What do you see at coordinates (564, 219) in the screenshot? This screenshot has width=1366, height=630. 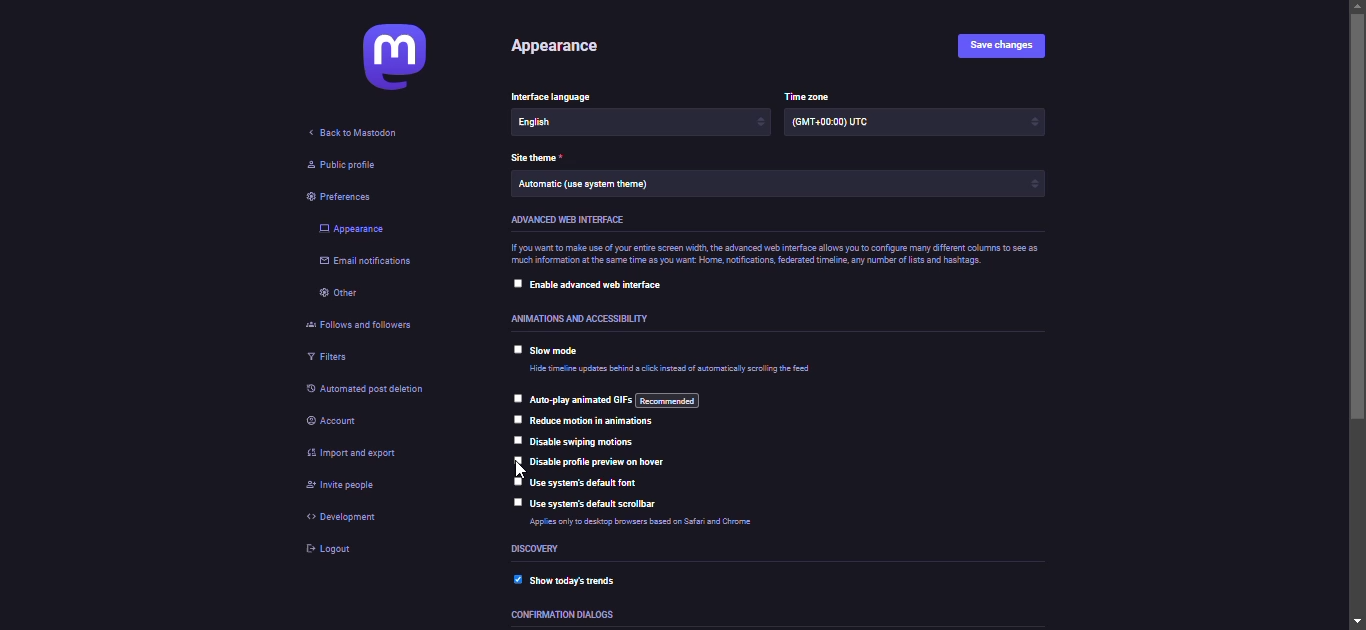 I see `advanced web interface` at bounding box center [564, 219].